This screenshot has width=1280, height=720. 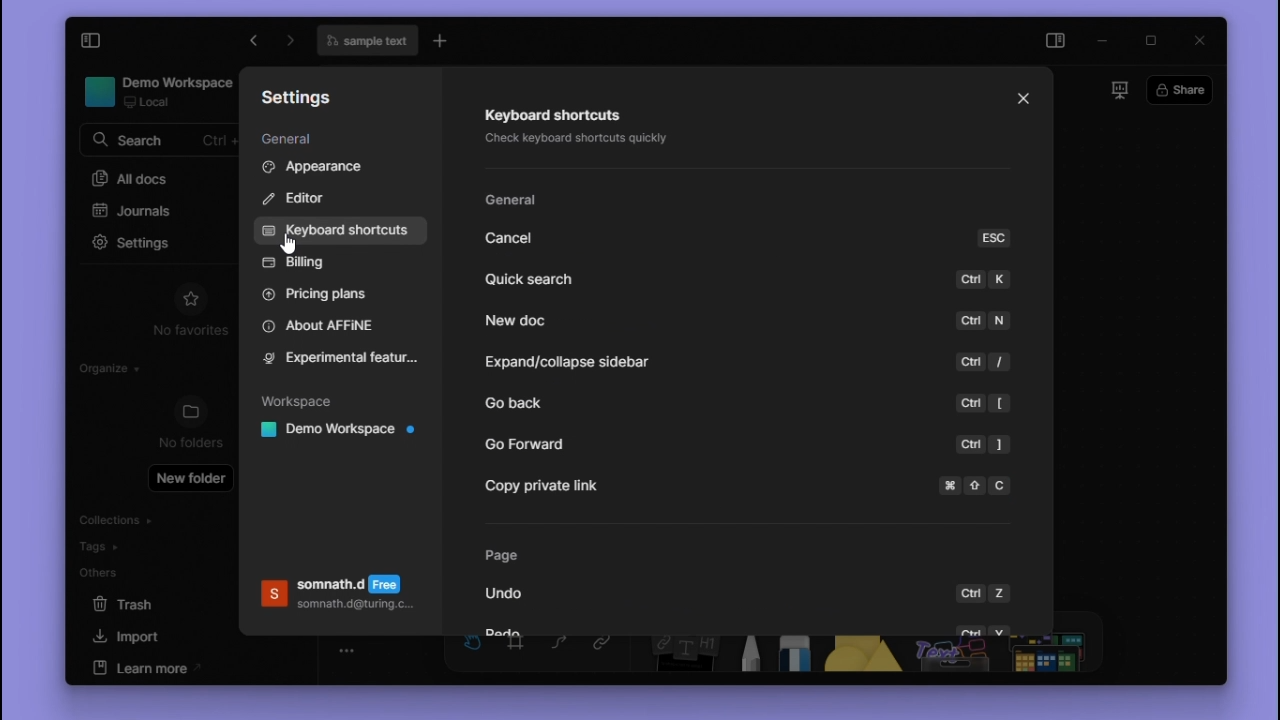 What do you see at coordinates (294, 140) in the screenshot?
I see `General` at bounding box center [294, 140].